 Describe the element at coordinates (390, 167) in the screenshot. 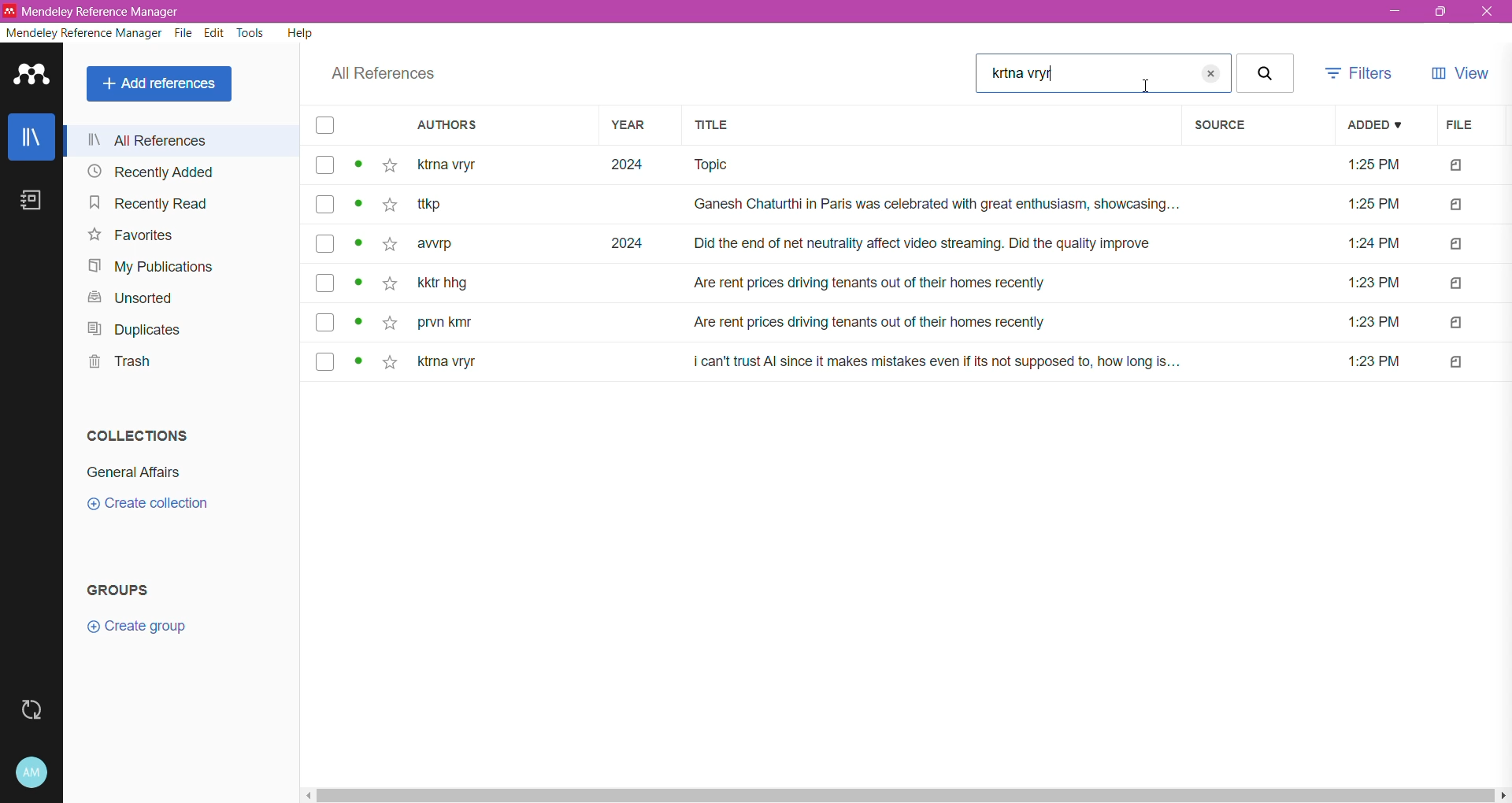

I see `Click to add the reference to favorites` at that location.